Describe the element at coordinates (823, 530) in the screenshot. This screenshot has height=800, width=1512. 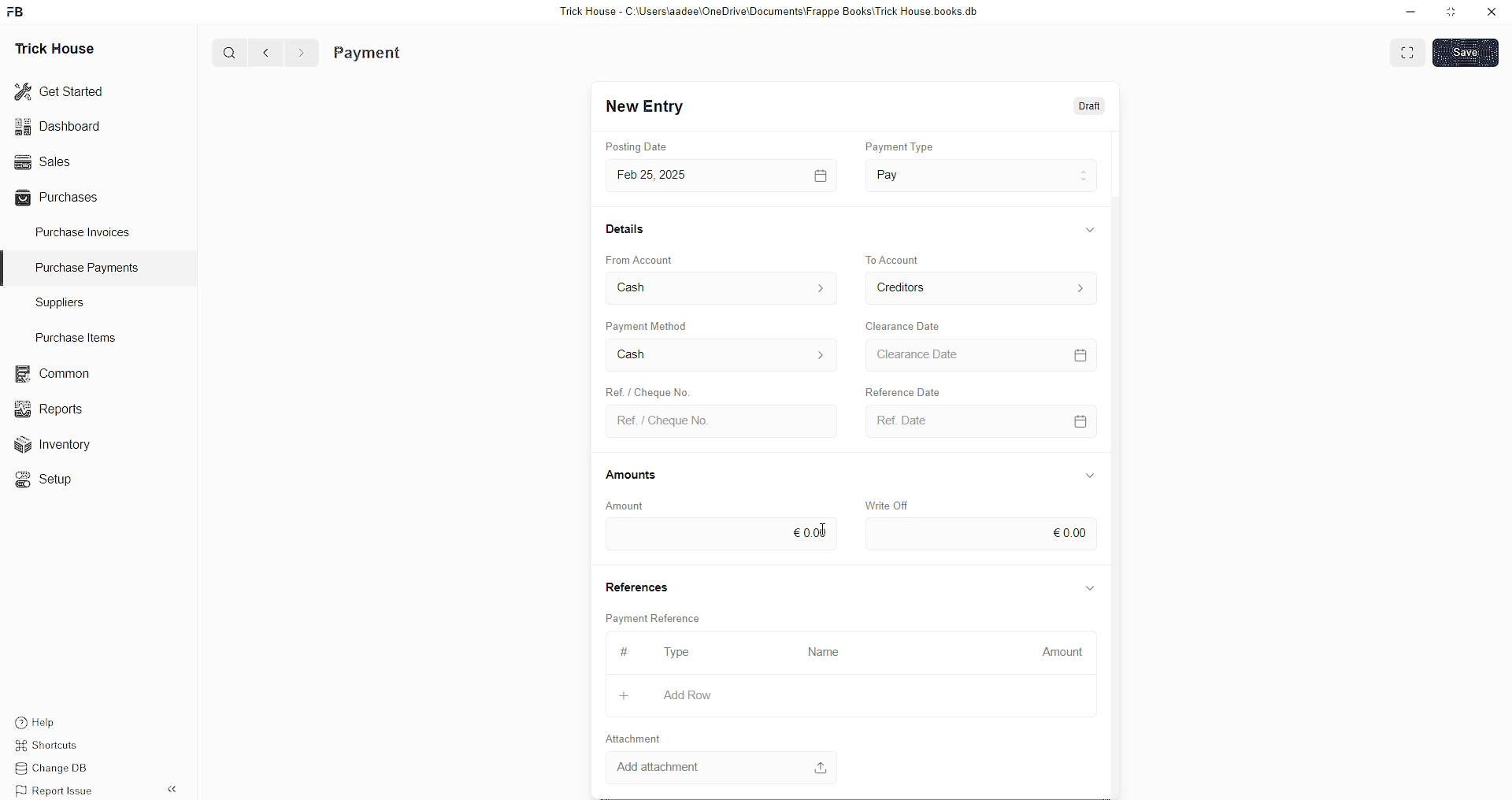
I see `cursor` at that location.